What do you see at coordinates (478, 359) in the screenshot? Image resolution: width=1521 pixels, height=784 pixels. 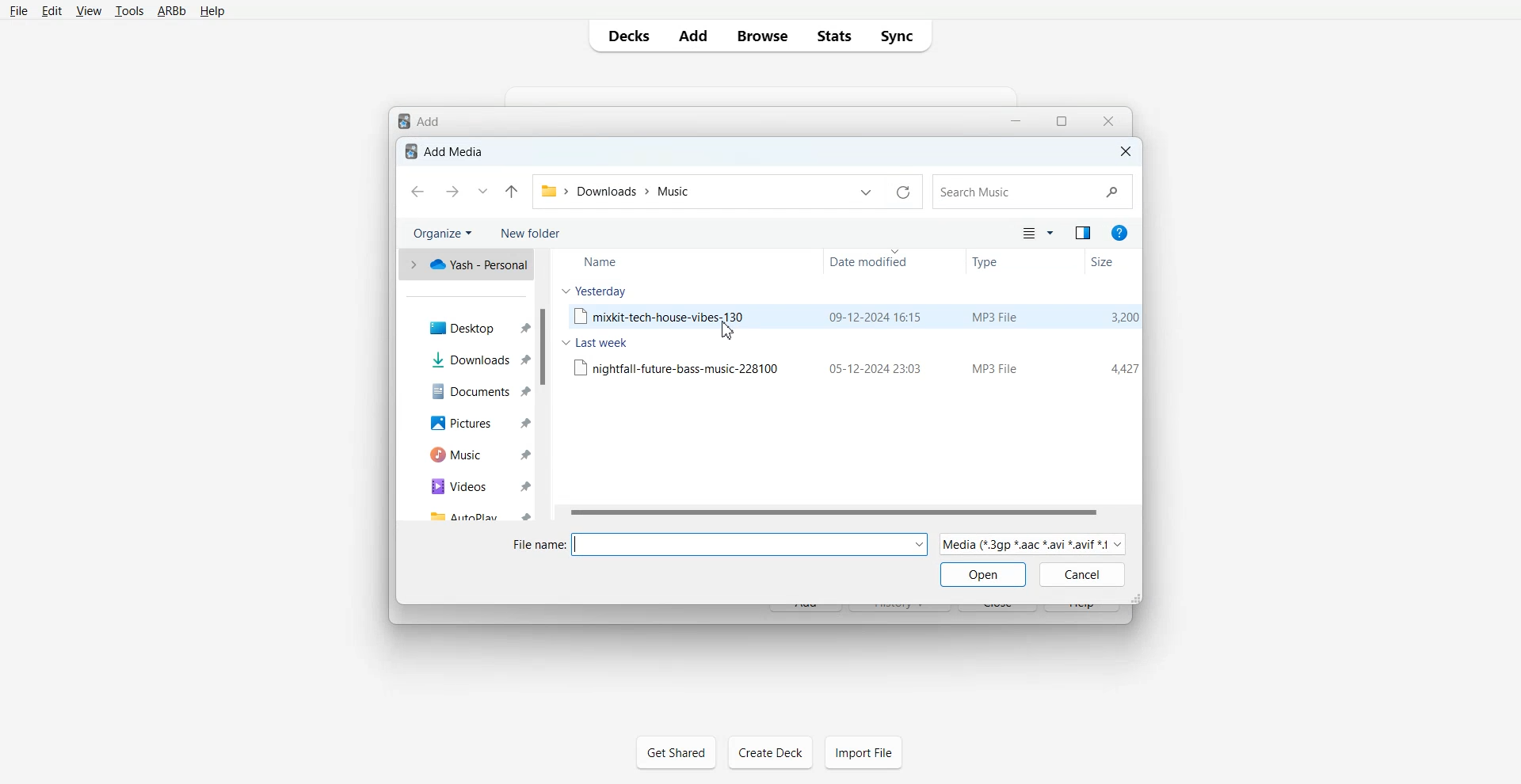 I see `Downloads` at bounding box center [478, 359].